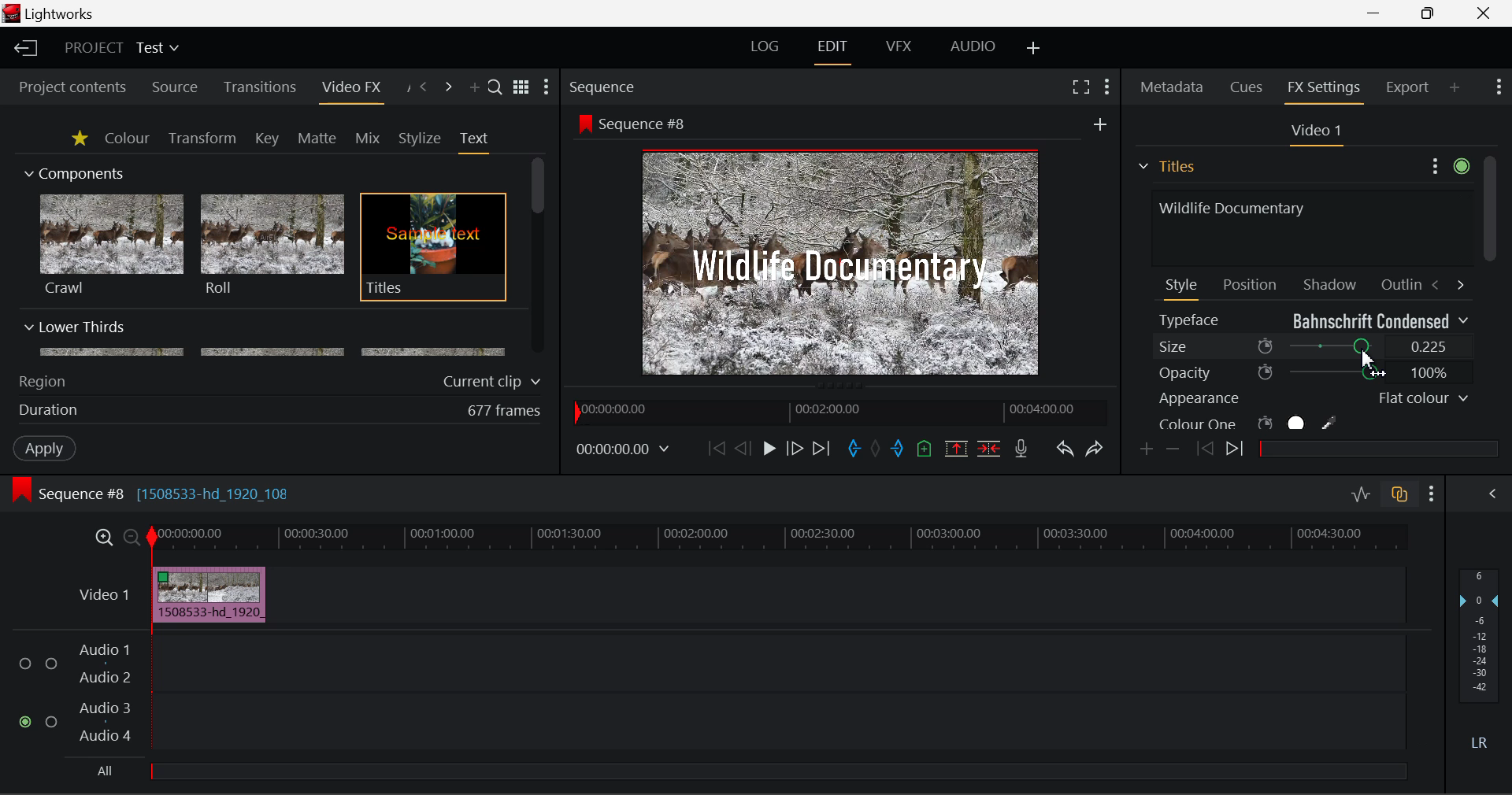 This screenshot has height=795, width=1512. I want to click on Close, so click(1484, 12).